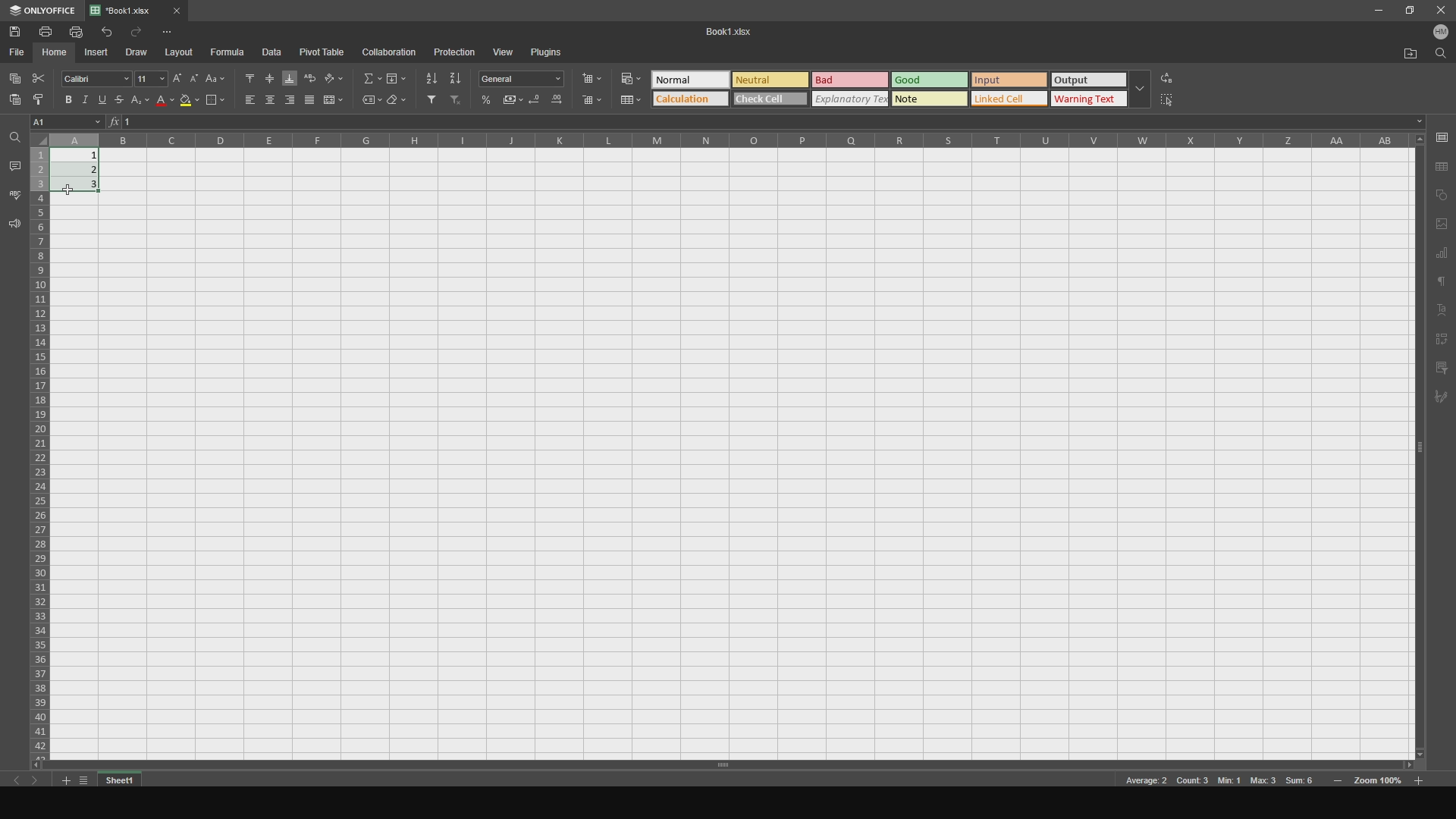  What do you see at coordinates (504, 50) in the screenshot?
I see `view` at bounding box center [504, 50].